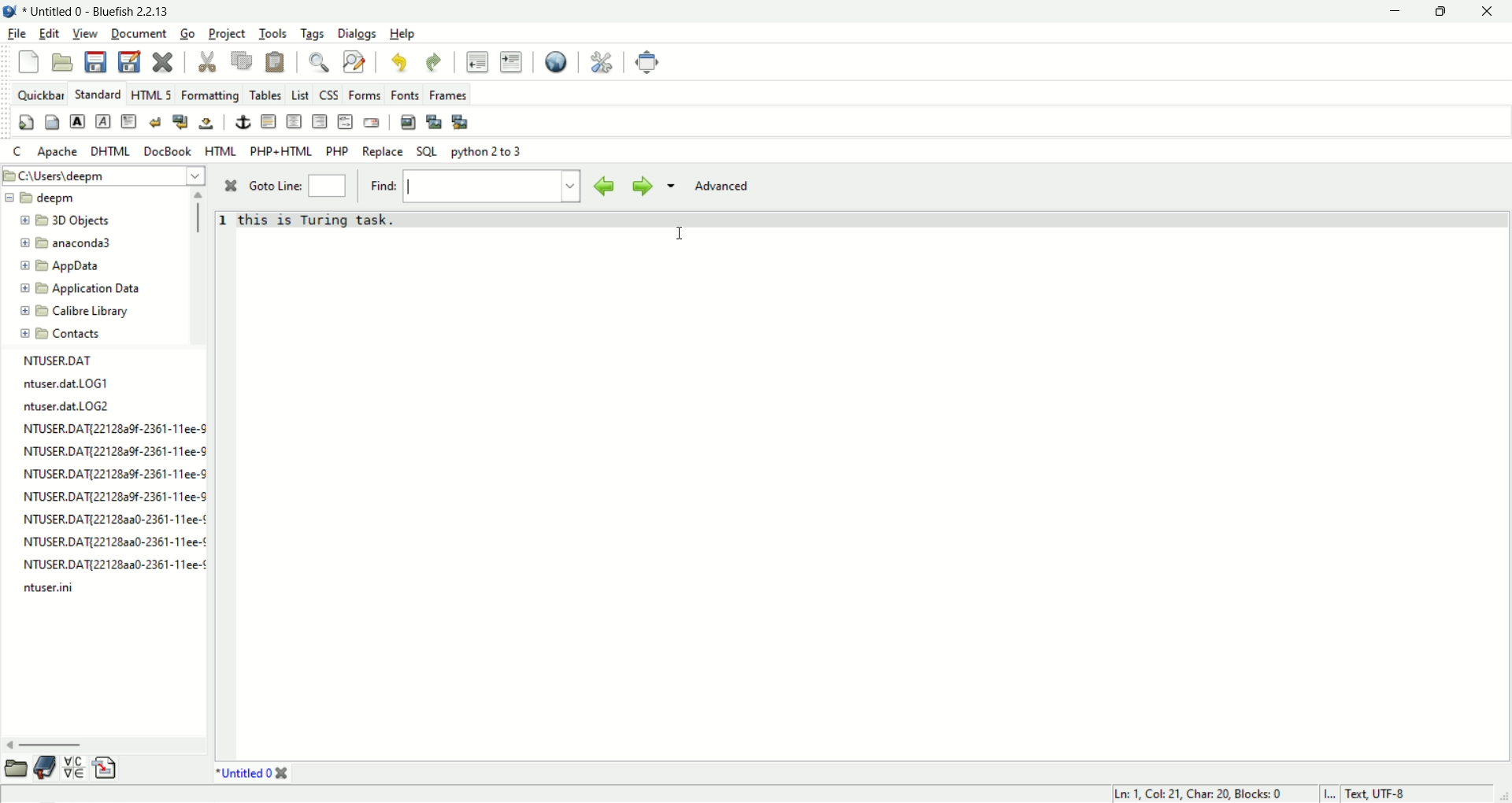 This screenshot has width=1512, height=803. I want to click on center, so click(295, 122).